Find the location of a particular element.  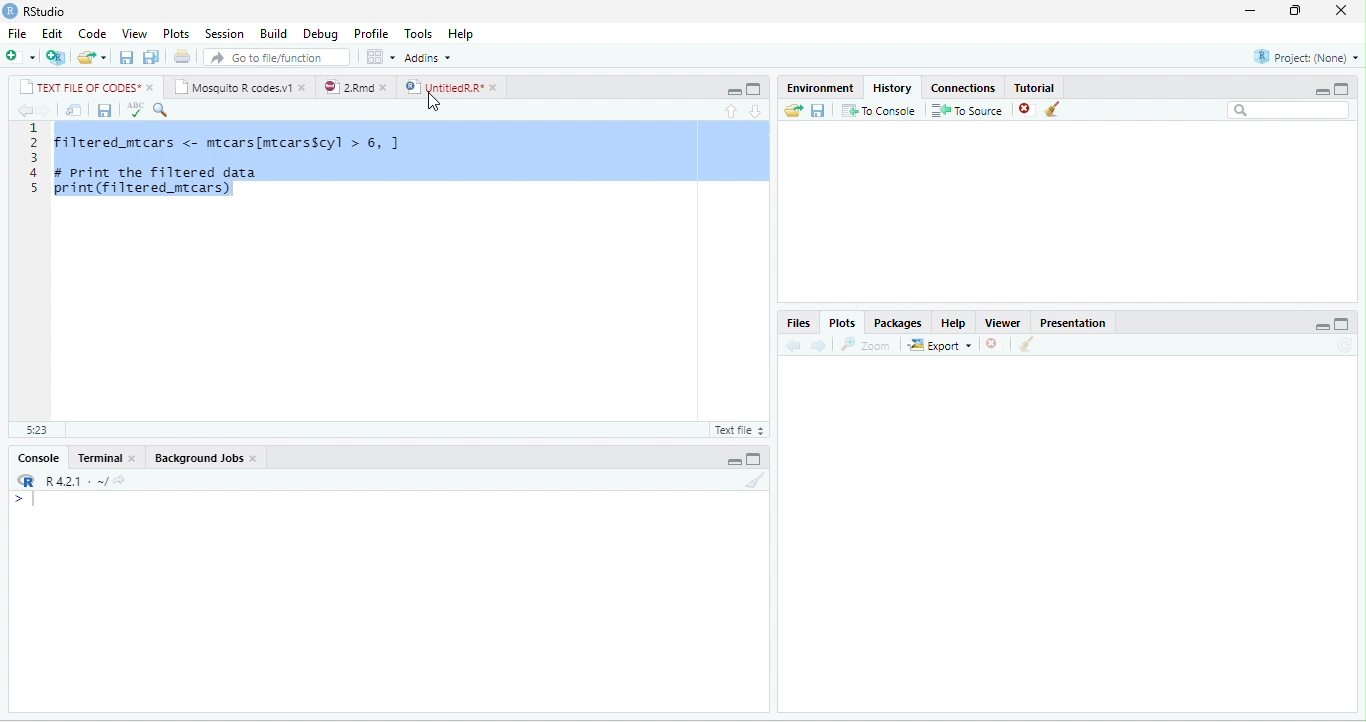

open file is located at coordinates (92, 58).